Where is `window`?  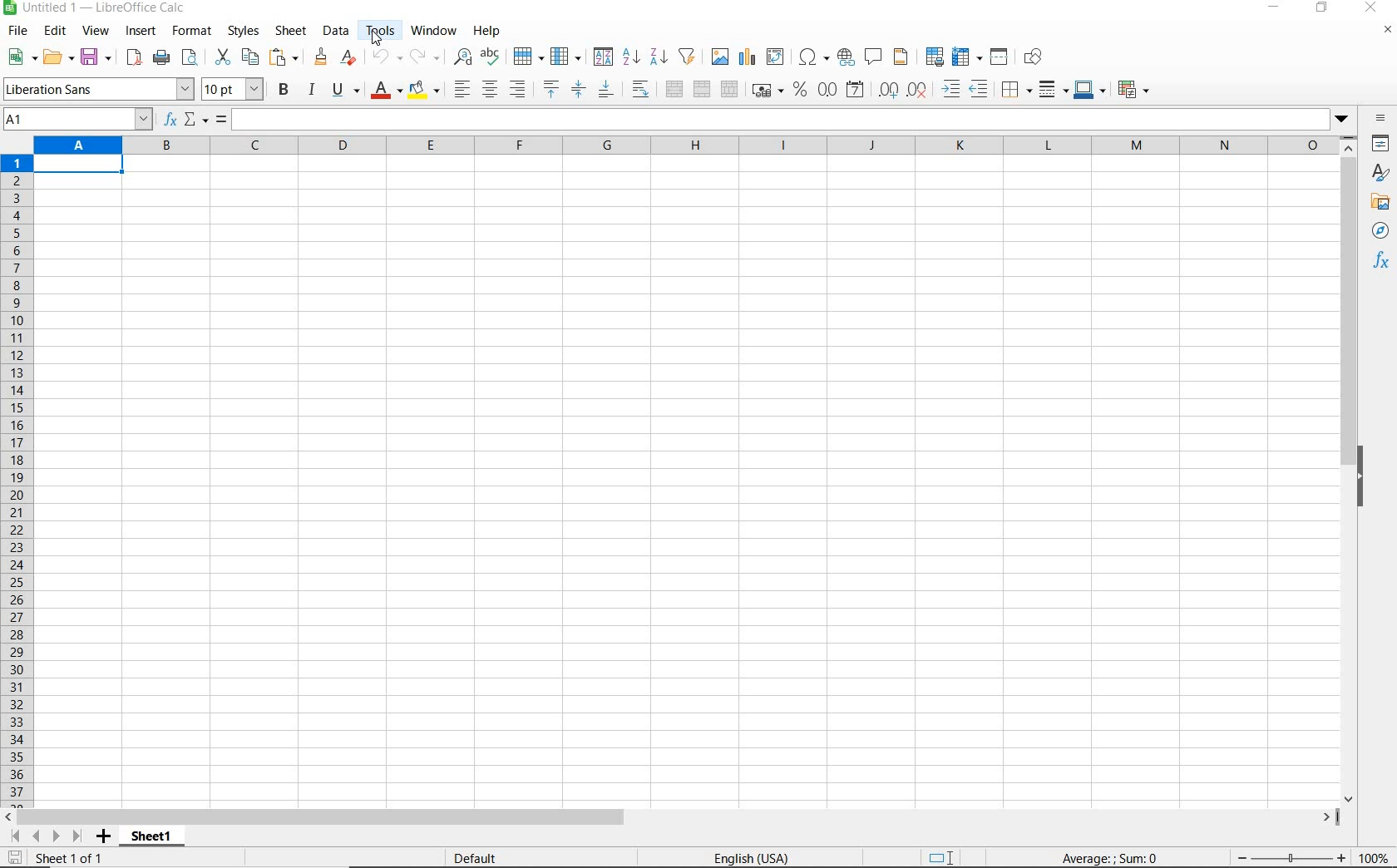 window is located at coordinates (432, 32).